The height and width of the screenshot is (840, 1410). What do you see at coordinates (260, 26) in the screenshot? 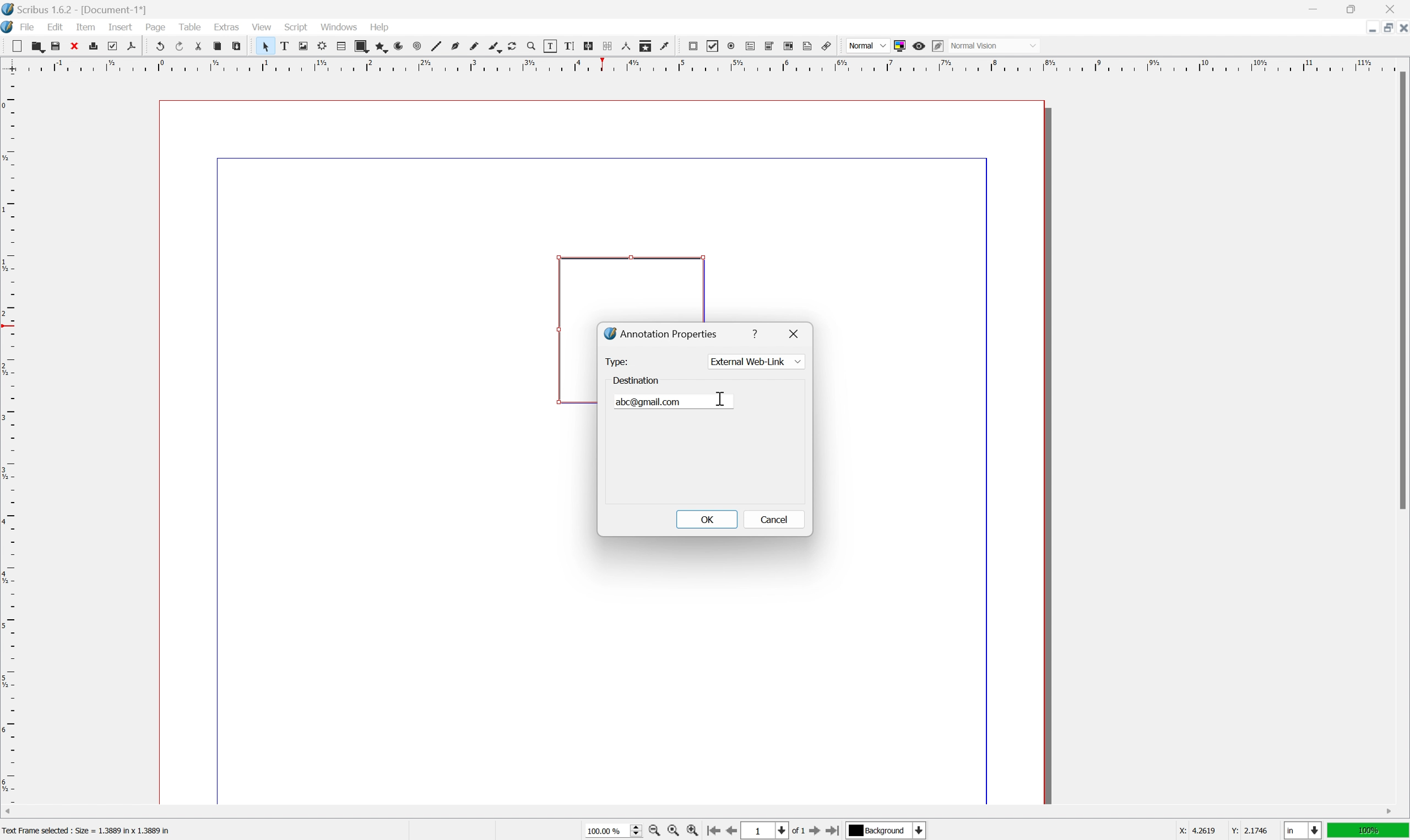
I see `view` at bounding box center [260, 26].